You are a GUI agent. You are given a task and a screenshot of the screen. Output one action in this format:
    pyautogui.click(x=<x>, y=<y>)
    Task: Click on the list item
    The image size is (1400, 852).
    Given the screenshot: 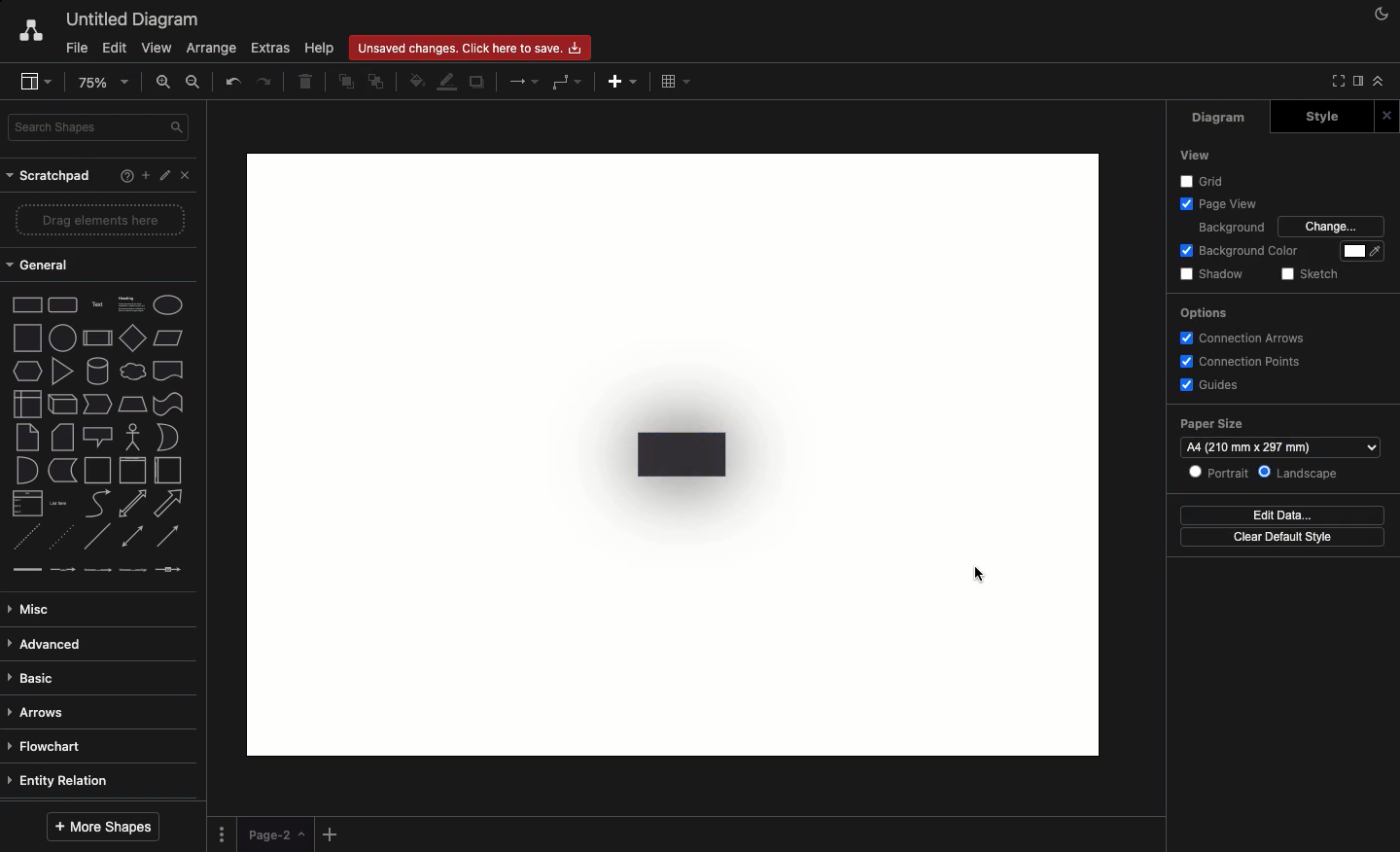 What is the action you would take?
    pyautogui.click(x=60, y=502)
    